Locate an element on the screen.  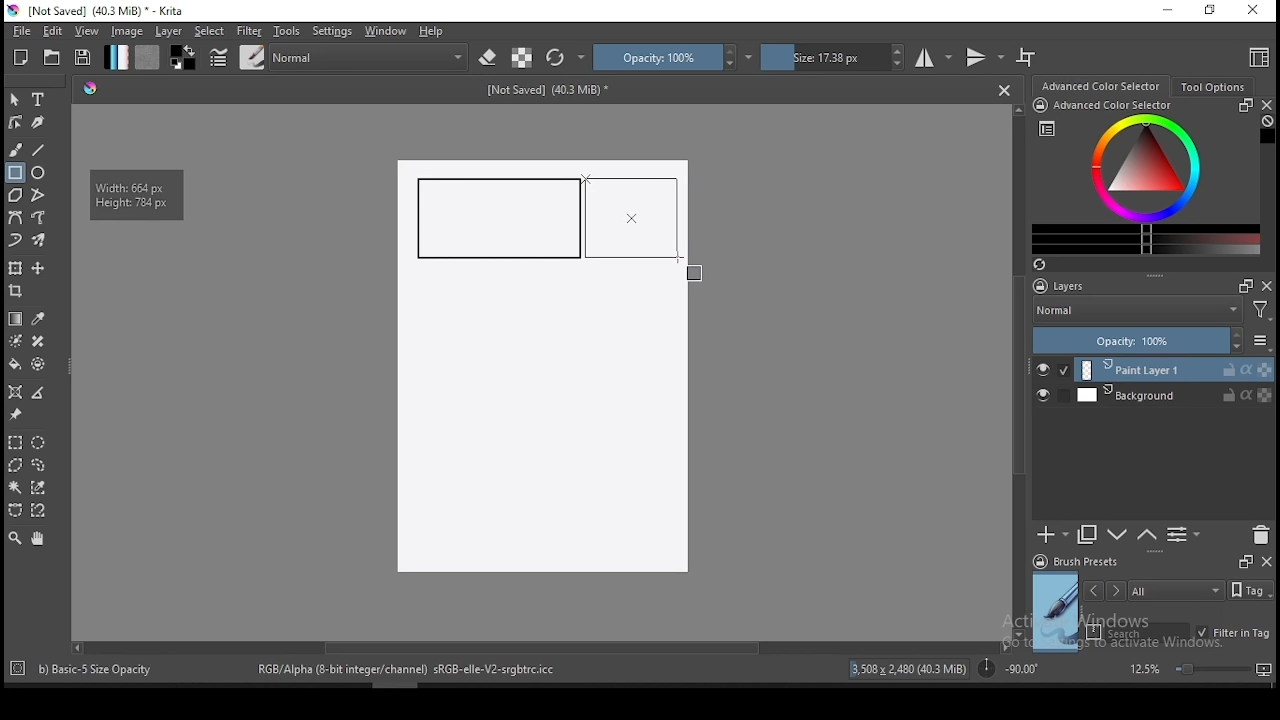
calligraphy is located at coordinates (39, 121).